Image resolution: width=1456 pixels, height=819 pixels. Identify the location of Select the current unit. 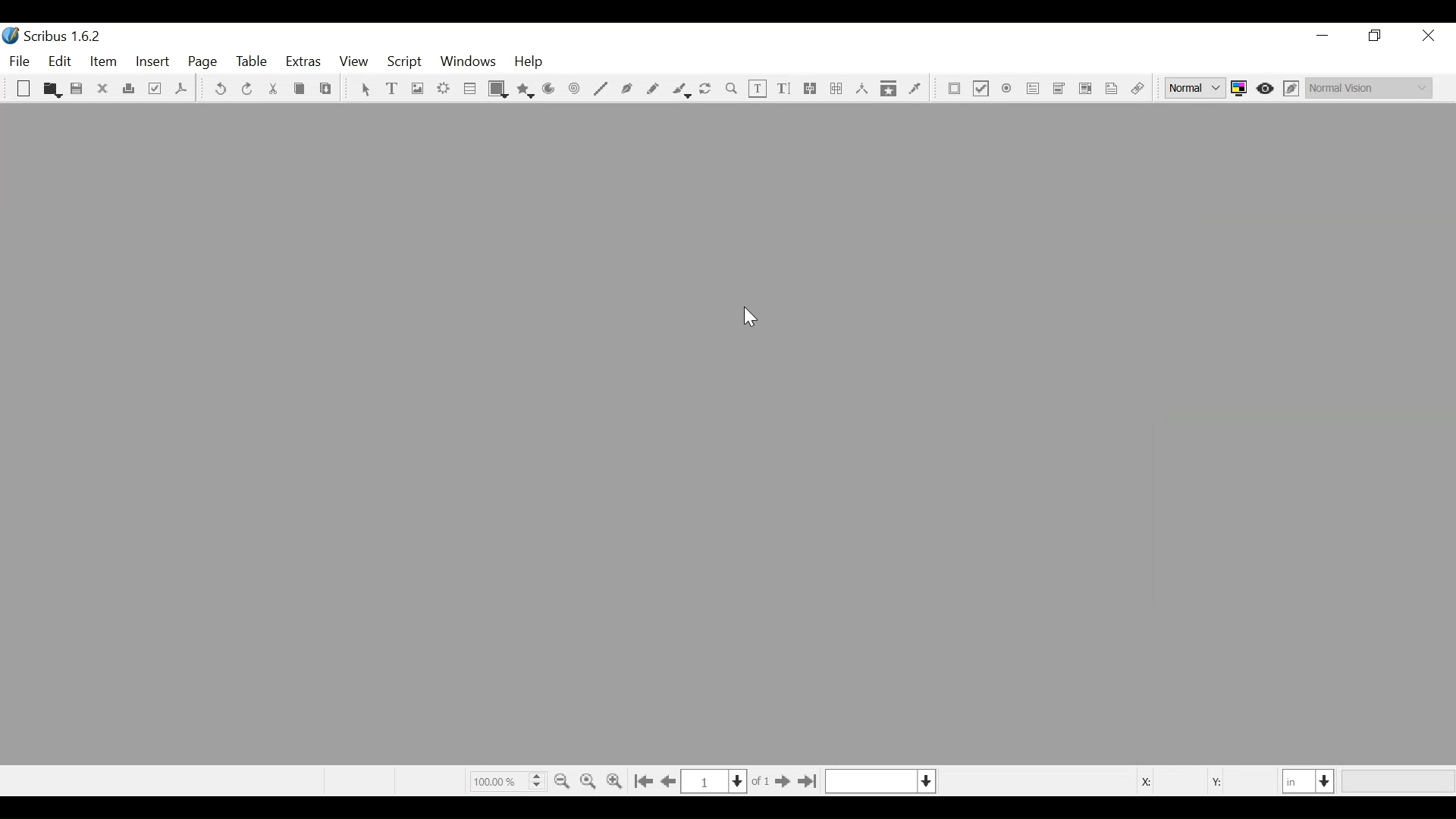
(1309, 780).